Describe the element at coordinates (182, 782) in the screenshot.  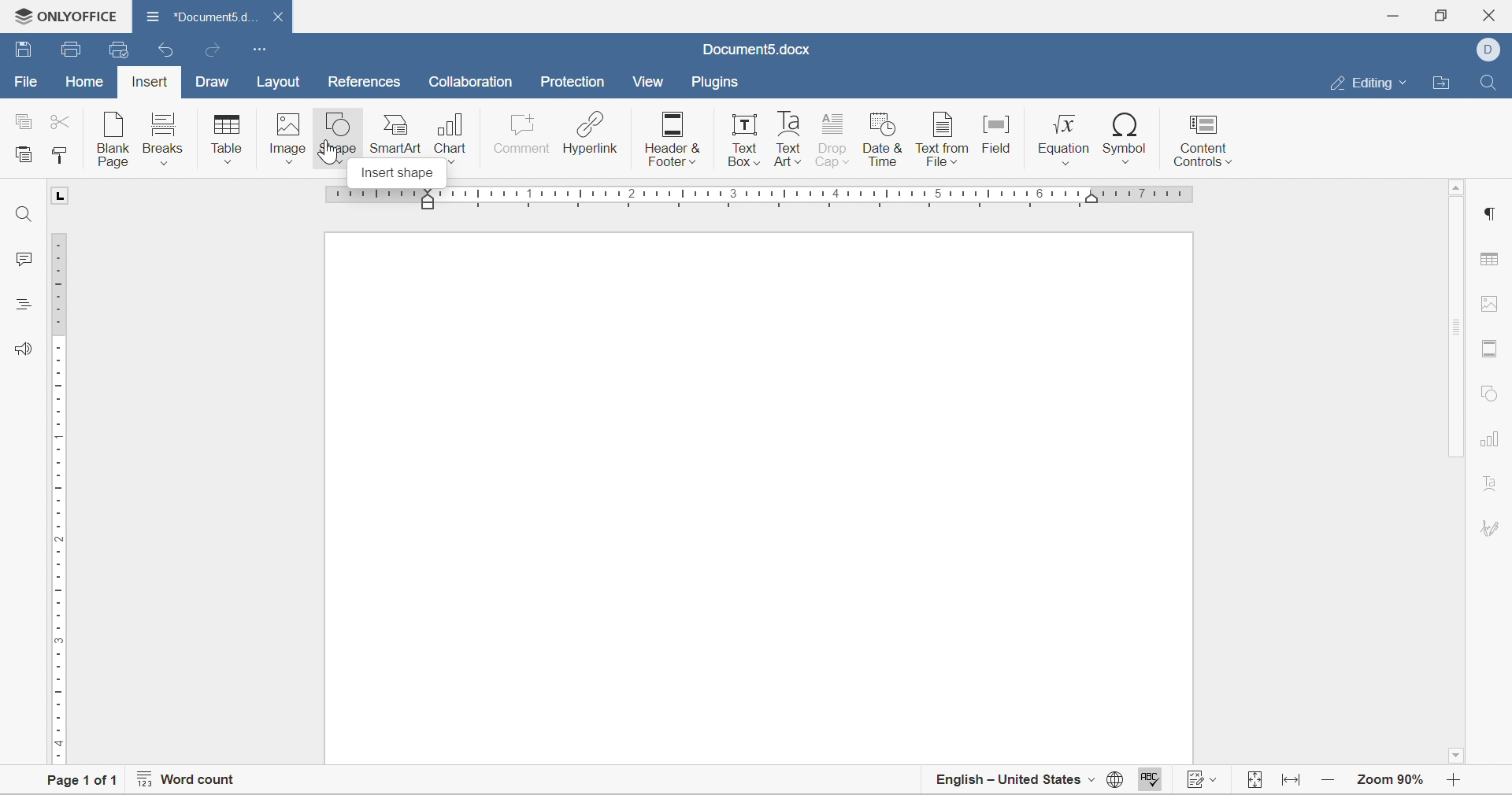
I see `word count` at that location.